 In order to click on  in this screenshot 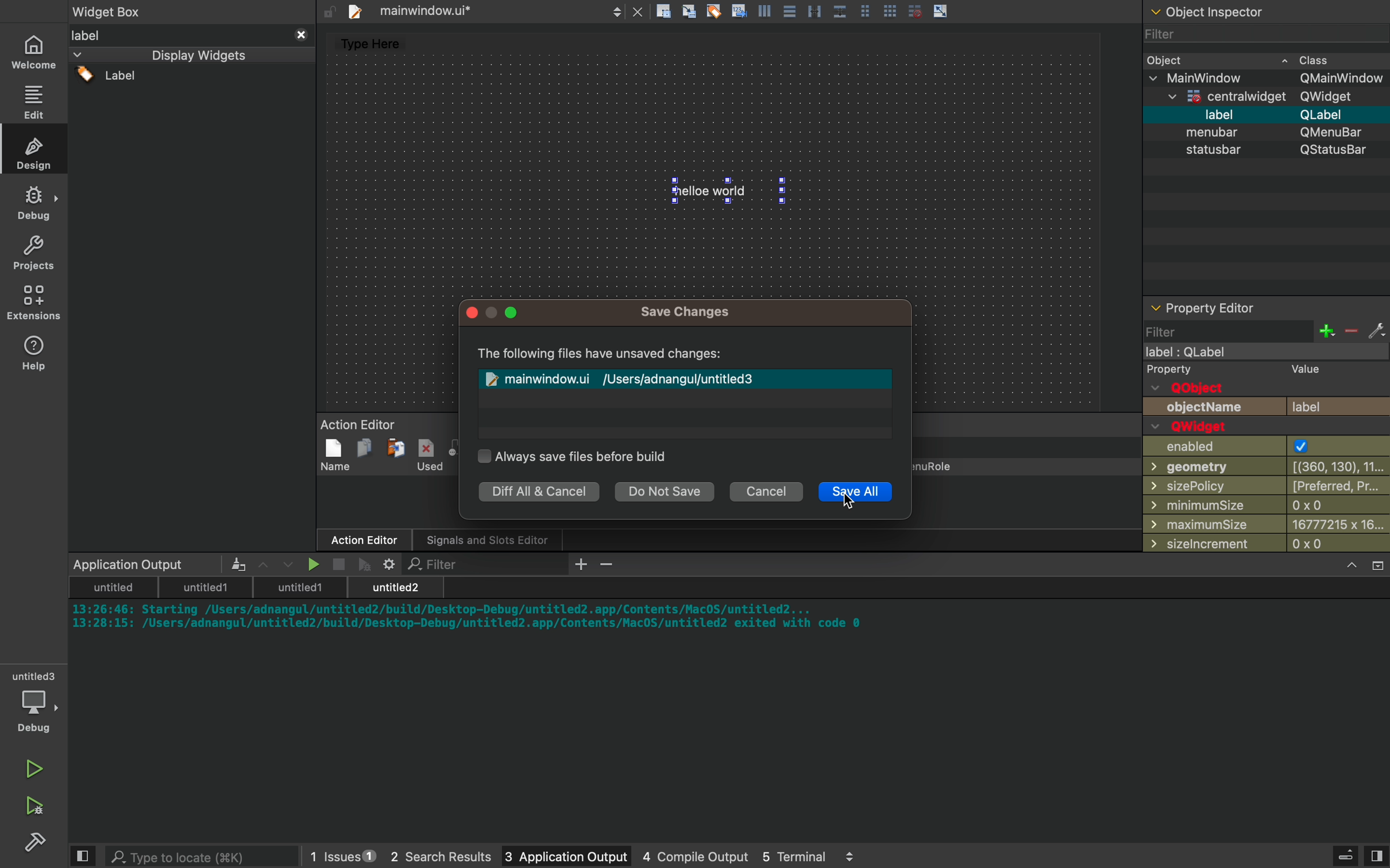, I will do `click(38, 844)`.